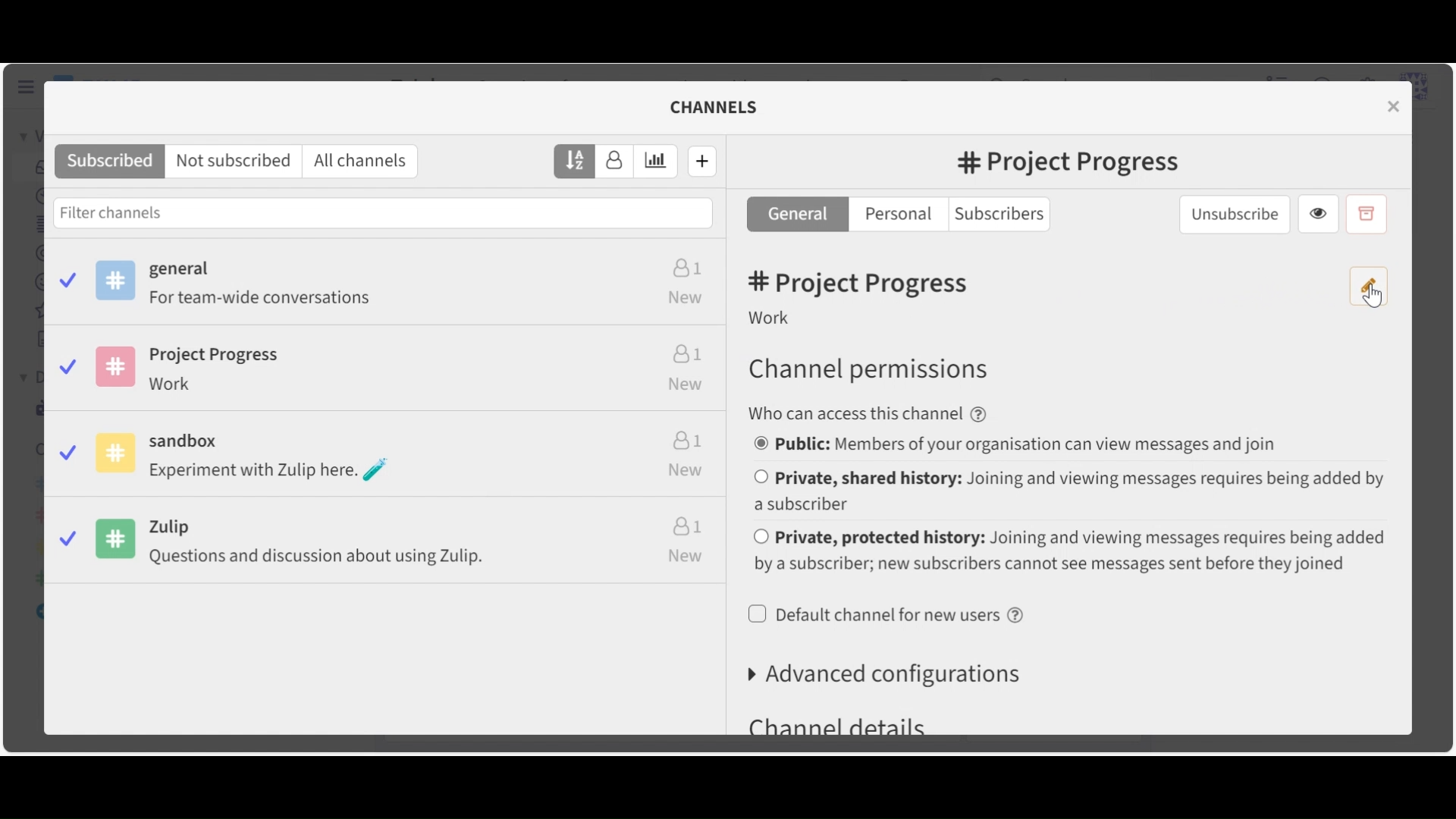  I want to click on Channel permissions, so click(876, 374).